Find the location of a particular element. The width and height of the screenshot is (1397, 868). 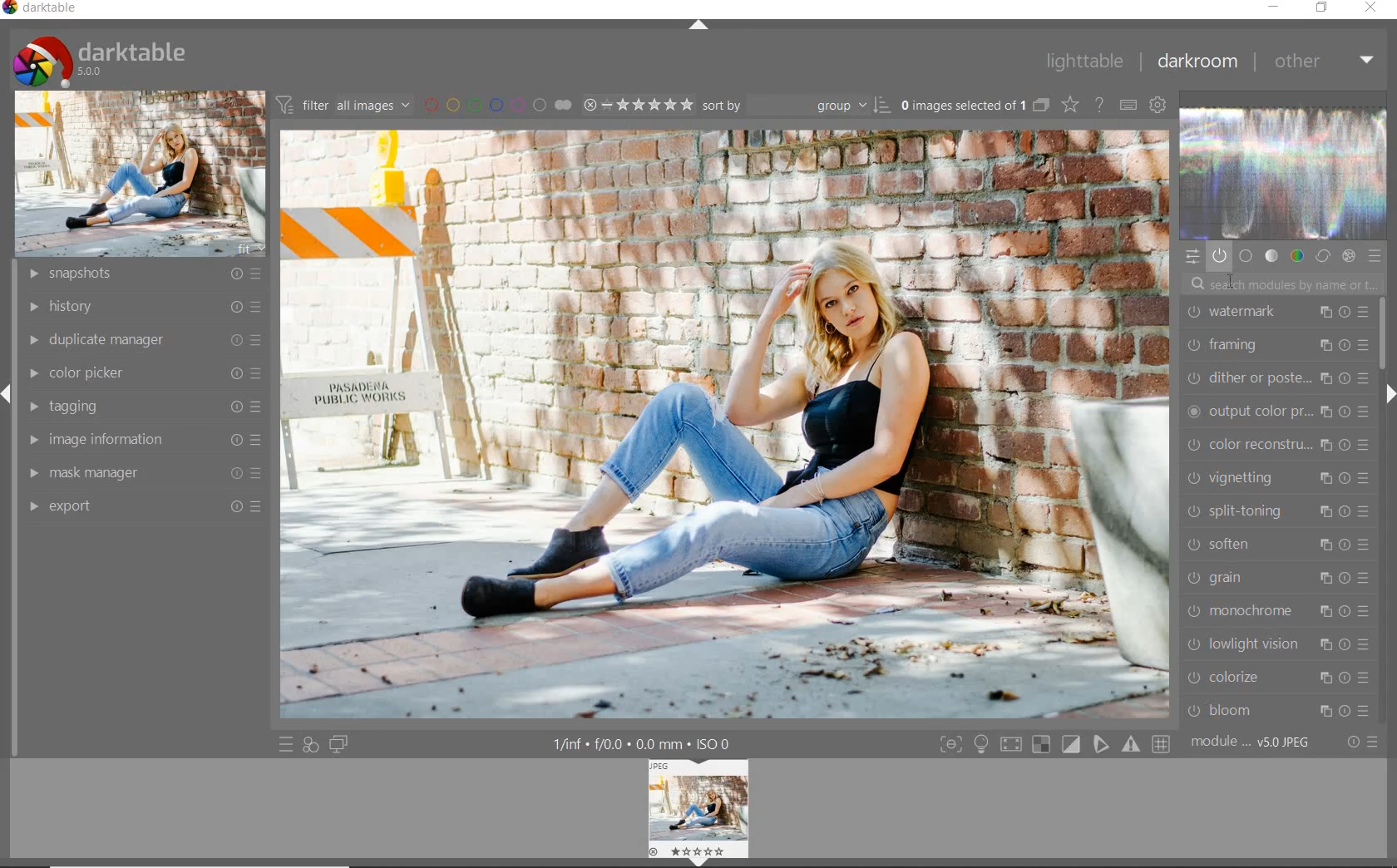

other is located at coordinates (1323, 62).